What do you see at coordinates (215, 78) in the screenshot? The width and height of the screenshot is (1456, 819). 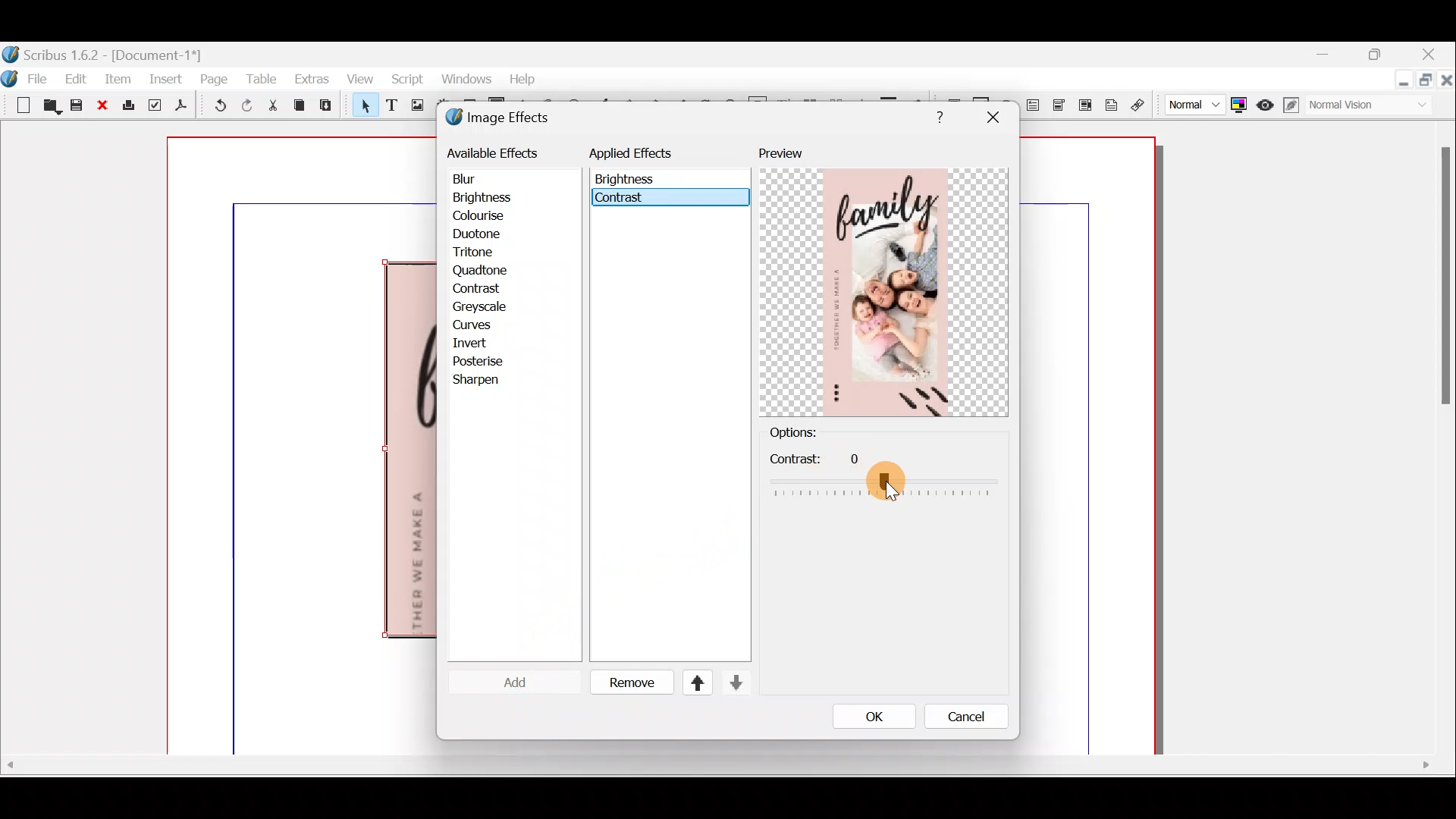 I see `Page` at bounding box center [215, 78].